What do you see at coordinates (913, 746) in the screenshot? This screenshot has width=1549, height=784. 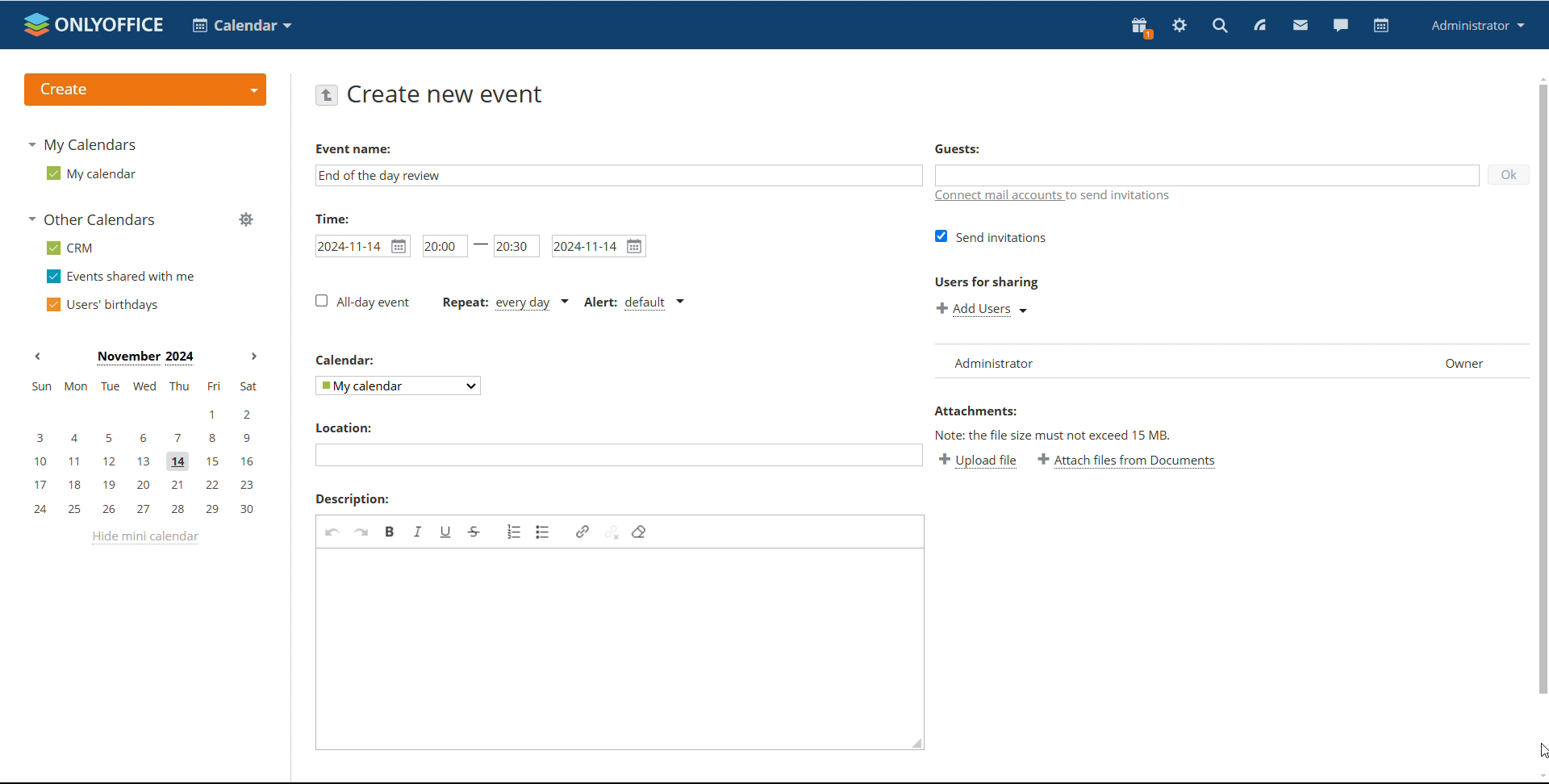 I see `resize box` at bounding box center [913, 746].